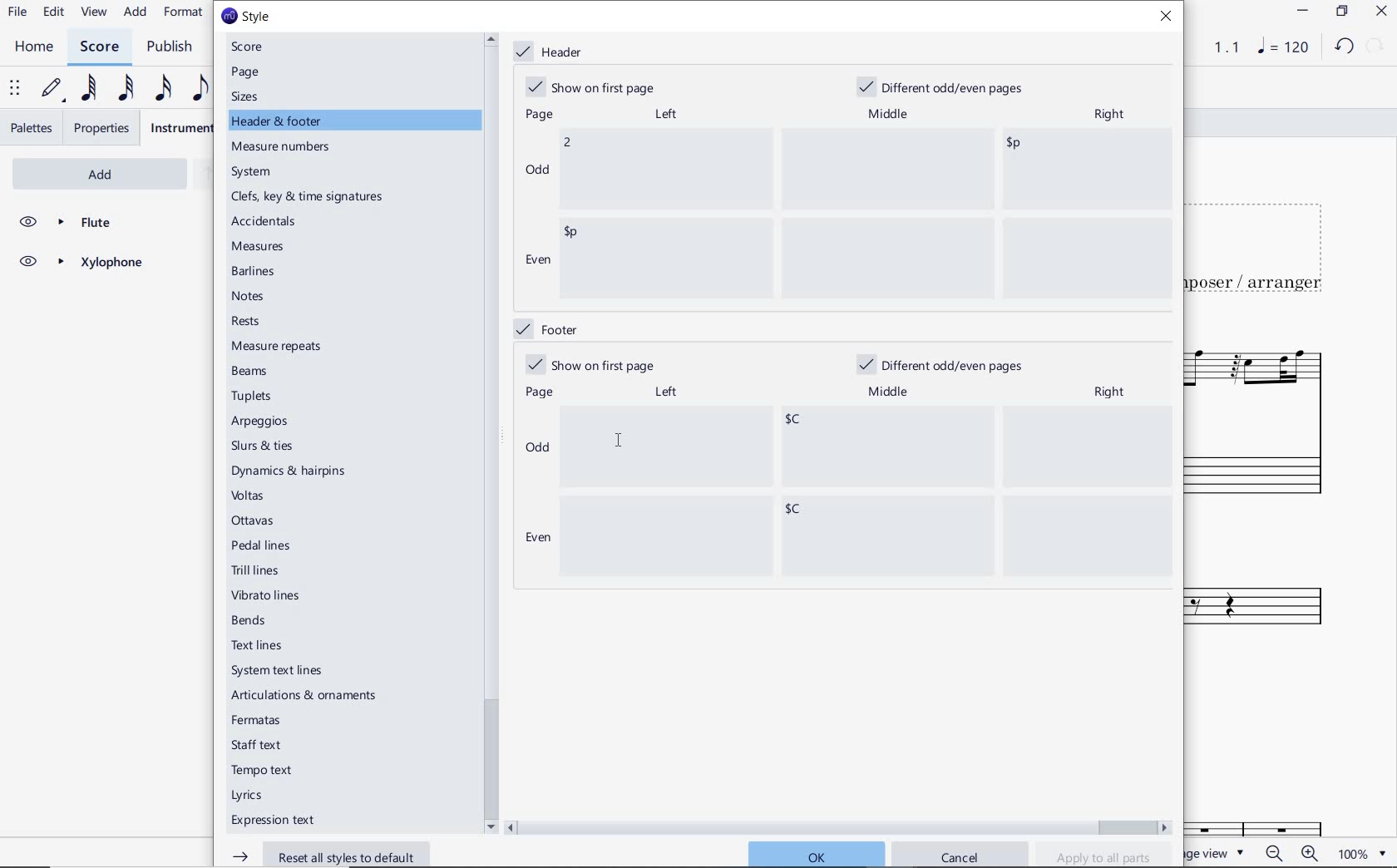  Describe the element at coordinates (95, 12) in the screenshot. I see `VIEW` at that location.